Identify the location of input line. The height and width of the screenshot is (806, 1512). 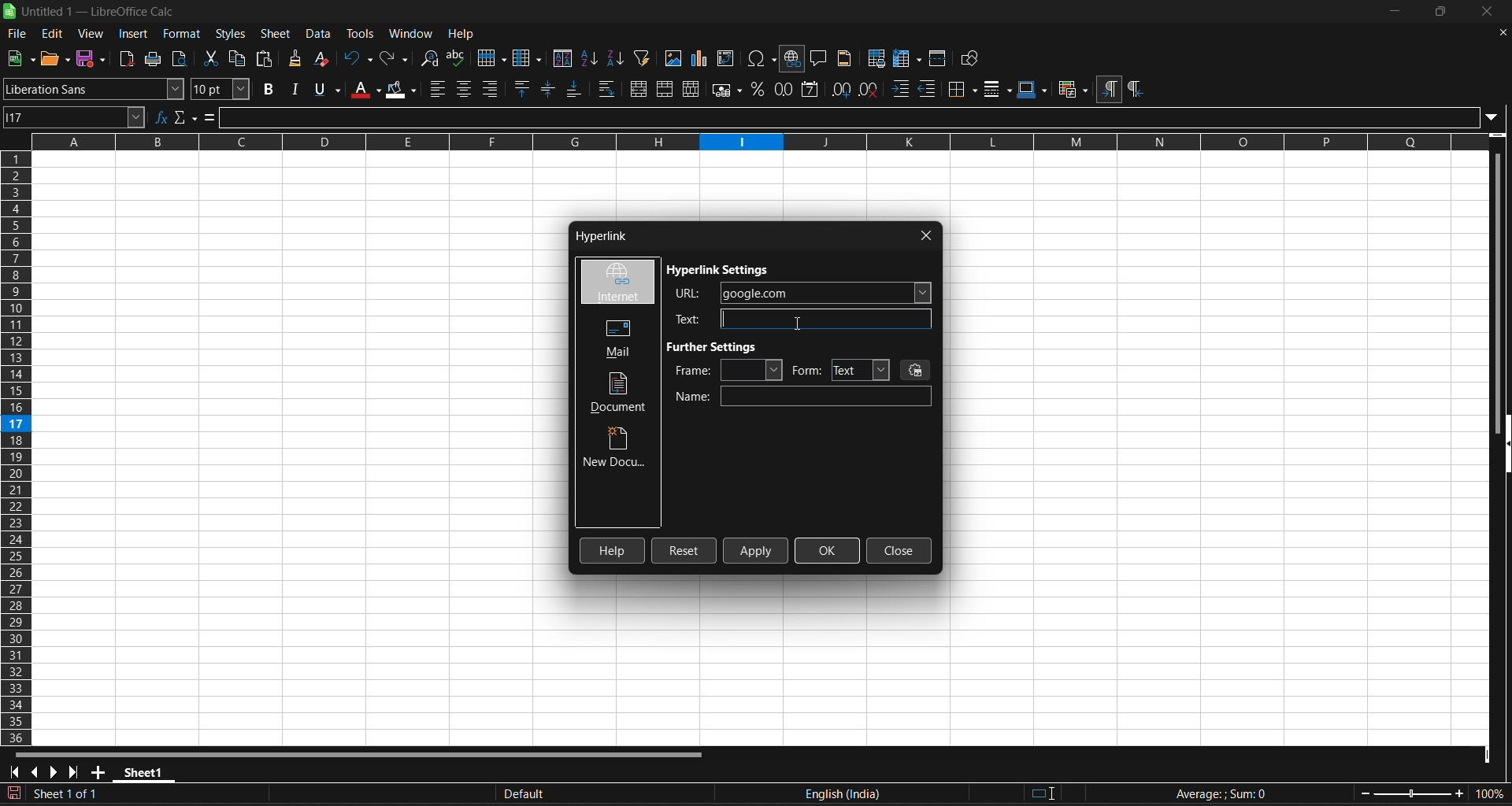
(860, 115).